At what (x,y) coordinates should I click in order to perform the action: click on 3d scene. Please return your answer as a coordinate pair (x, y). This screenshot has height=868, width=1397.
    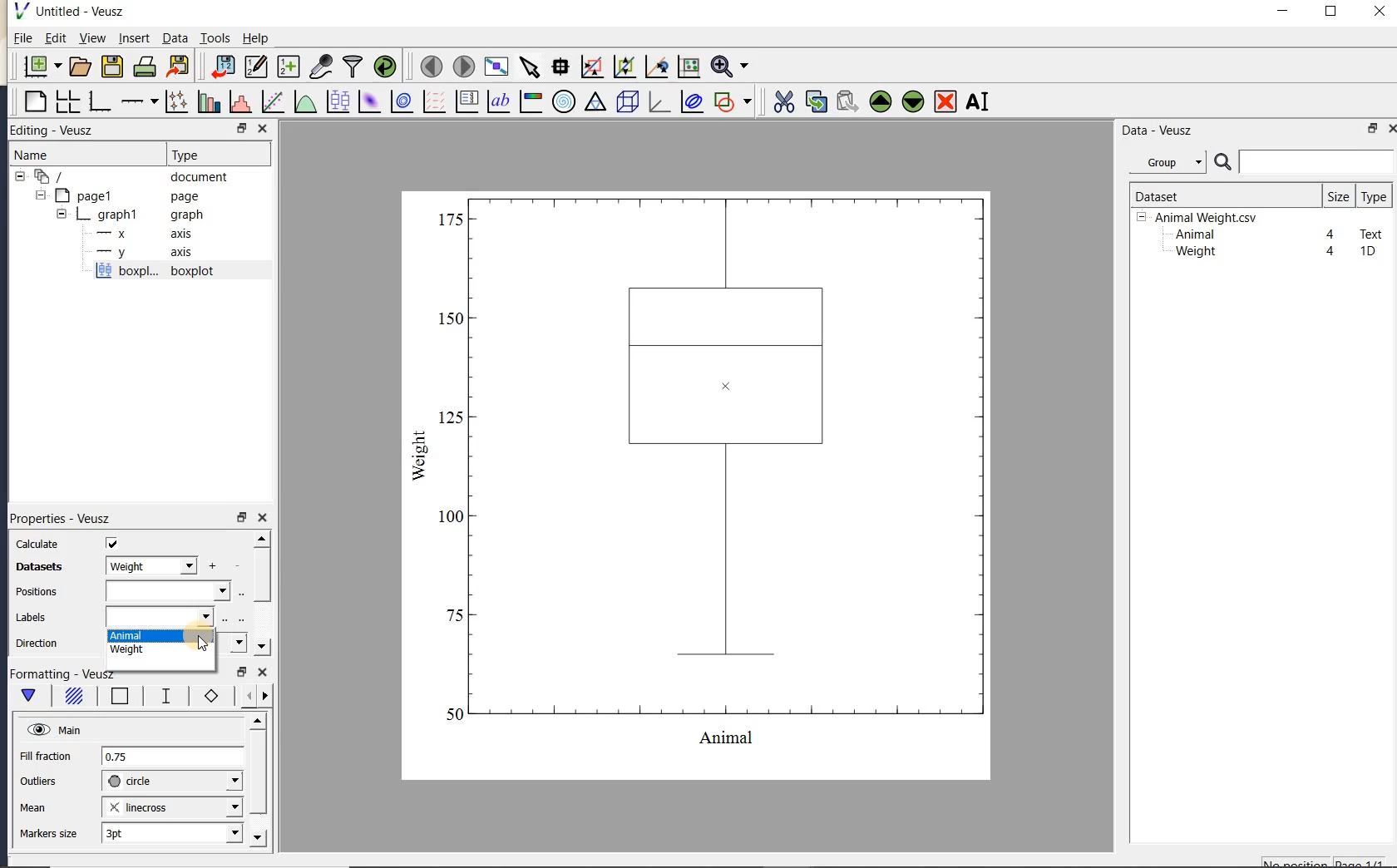
    Looking at the image, I should click on (625, 102).